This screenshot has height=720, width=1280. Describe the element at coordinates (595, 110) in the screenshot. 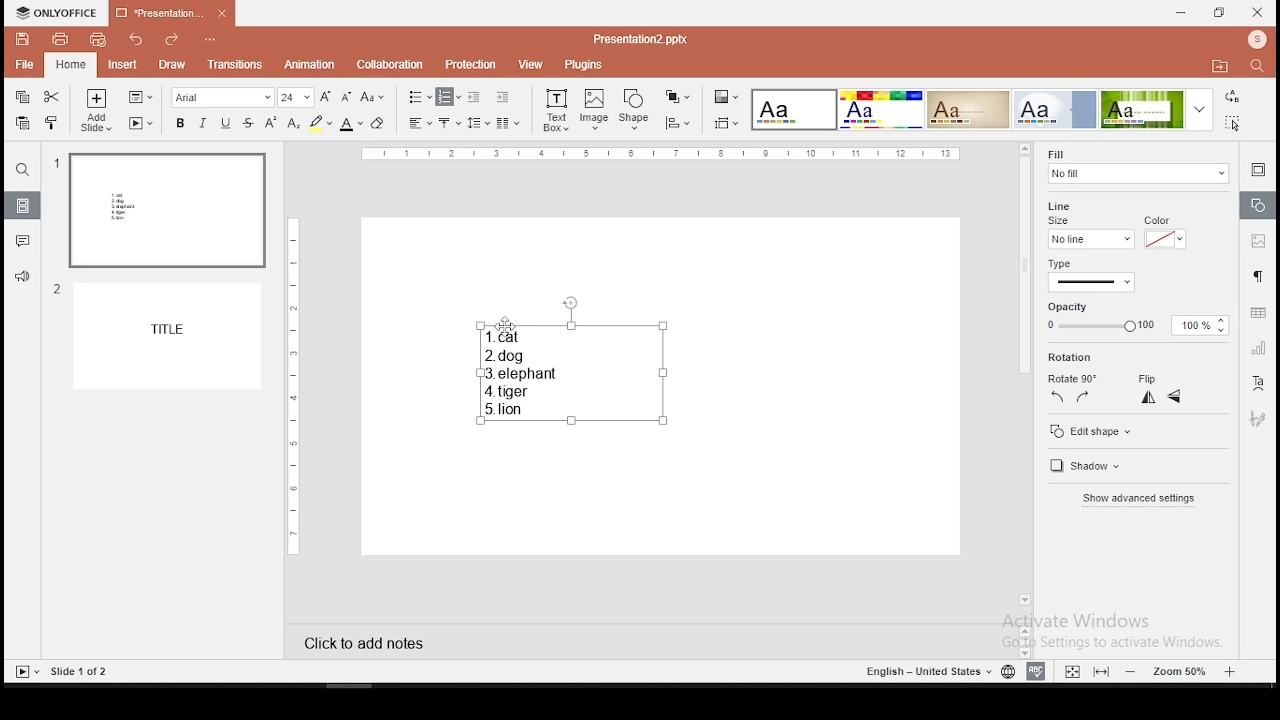

I see `image` at that location.